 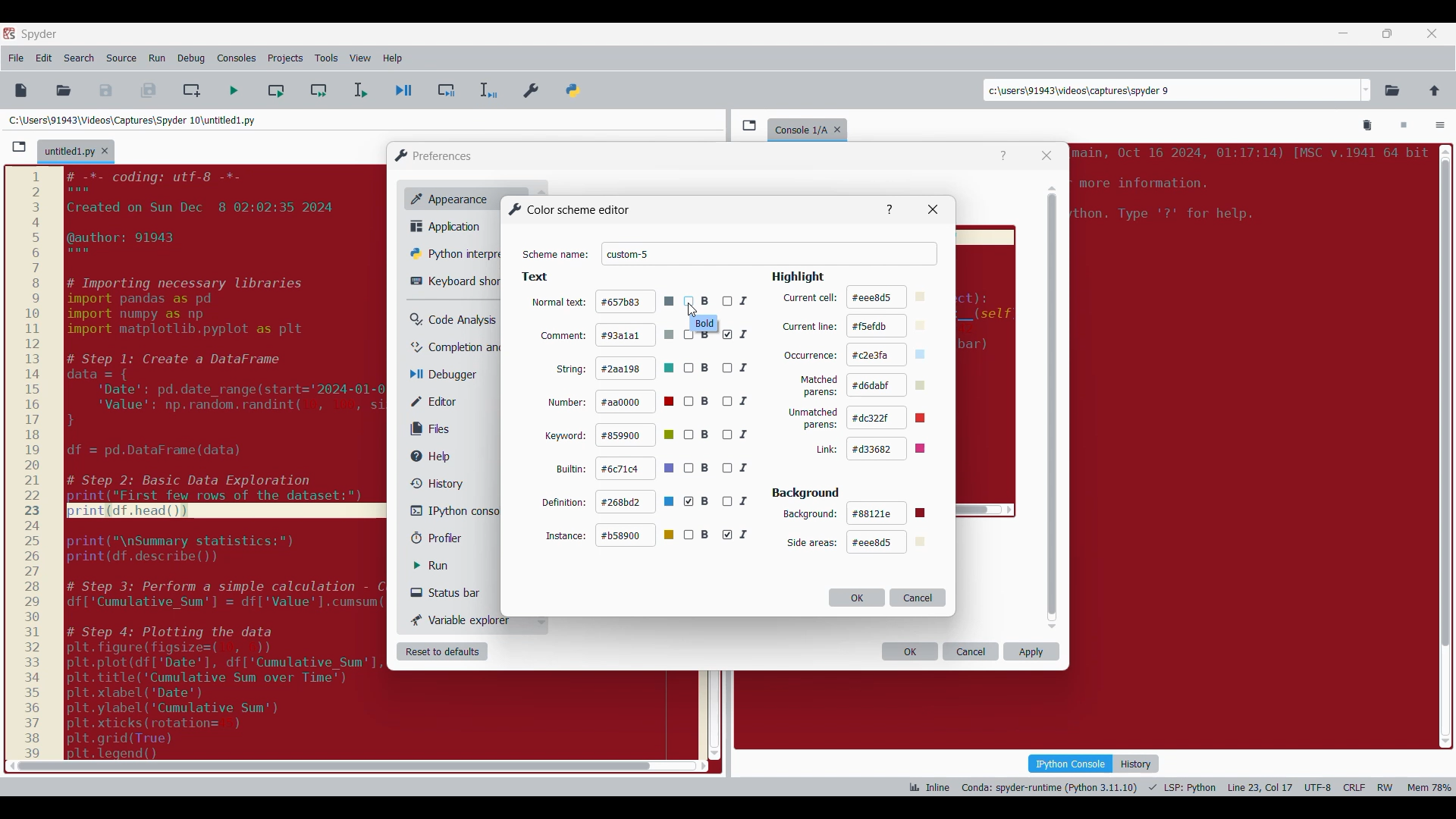 What do you see at coordinates (1368, 126) in the screenshot?
I see `Remove all variables from namespace` at bounding box center [1368, 126].